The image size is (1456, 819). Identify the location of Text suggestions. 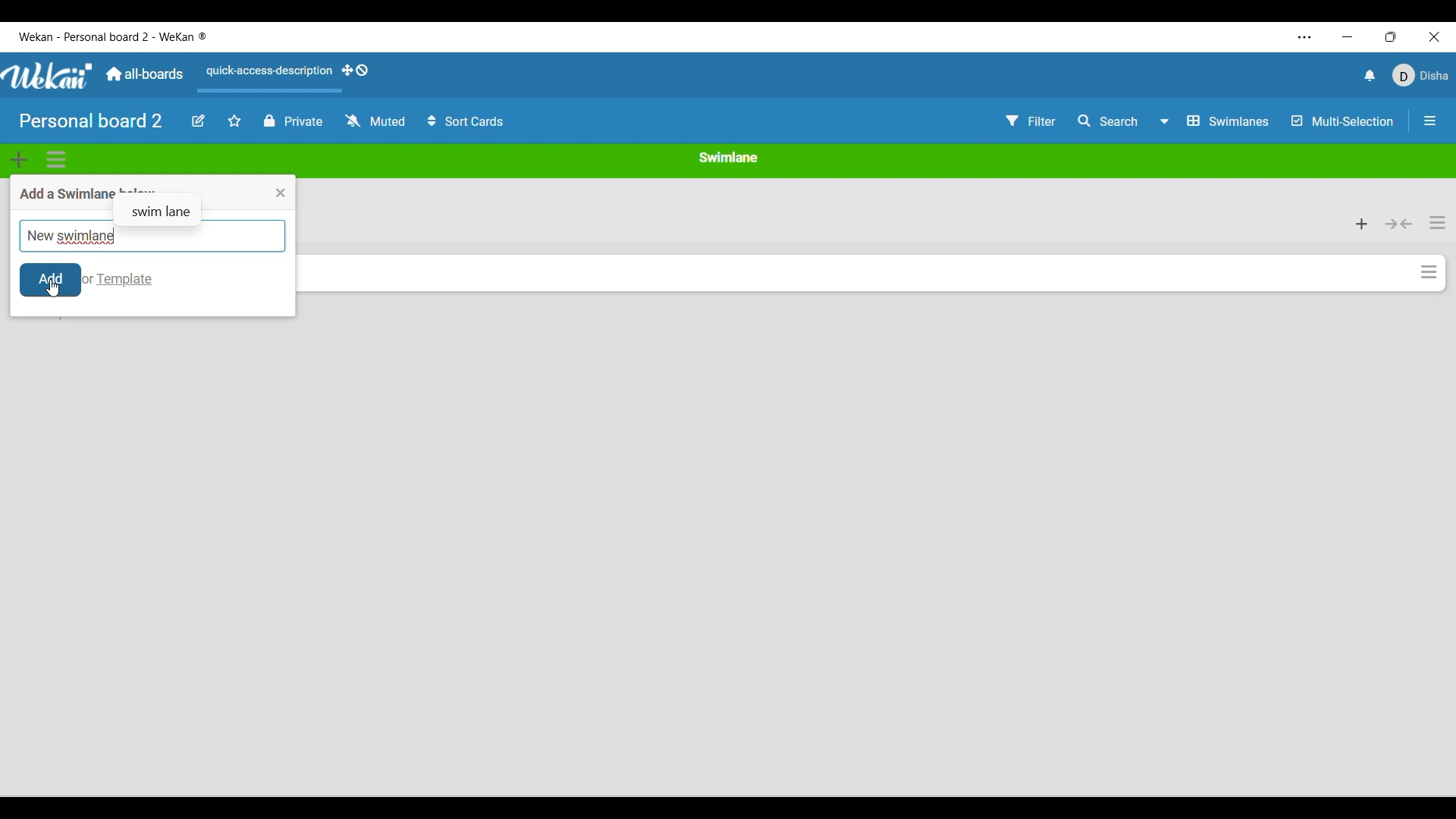
(163, 205).